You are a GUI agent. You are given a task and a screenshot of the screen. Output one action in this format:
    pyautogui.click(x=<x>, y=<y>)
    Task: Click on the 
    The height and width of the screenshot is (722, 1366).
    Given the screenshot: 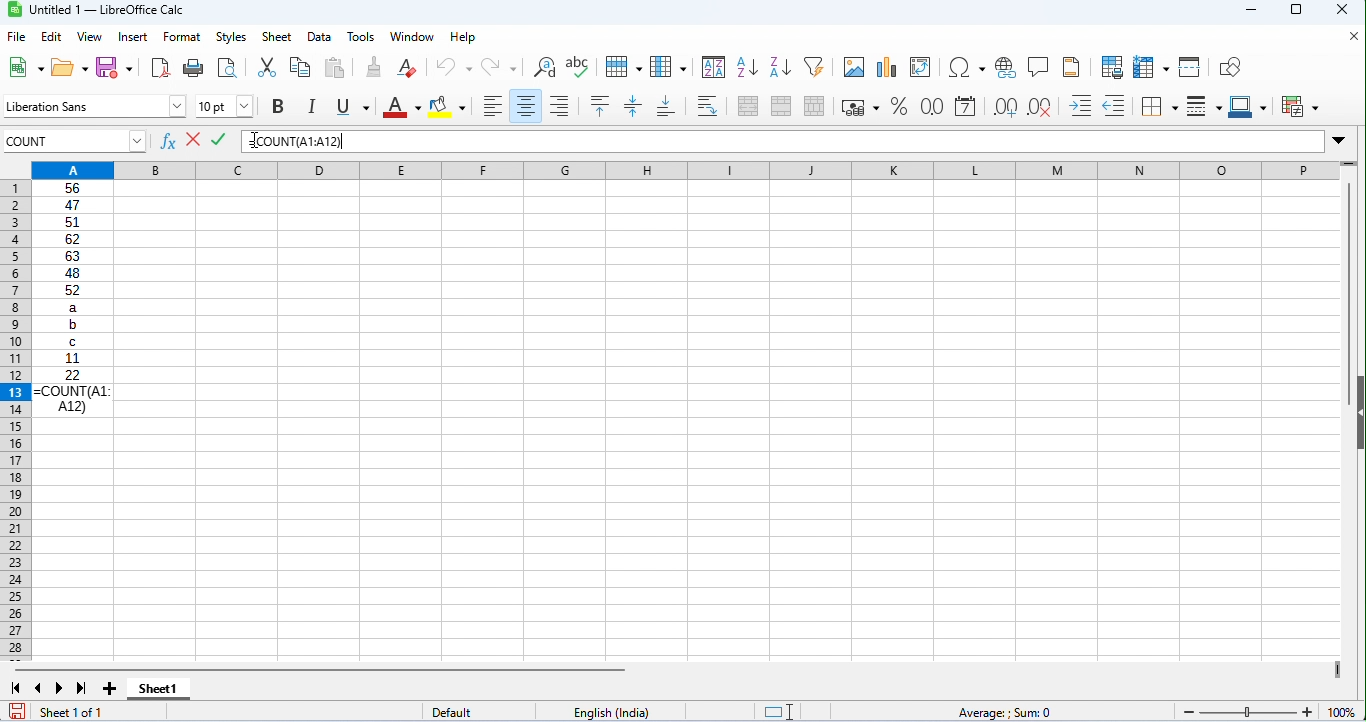 What is the action you would take?
    pyautogui.click(x=1005, y=68)
    